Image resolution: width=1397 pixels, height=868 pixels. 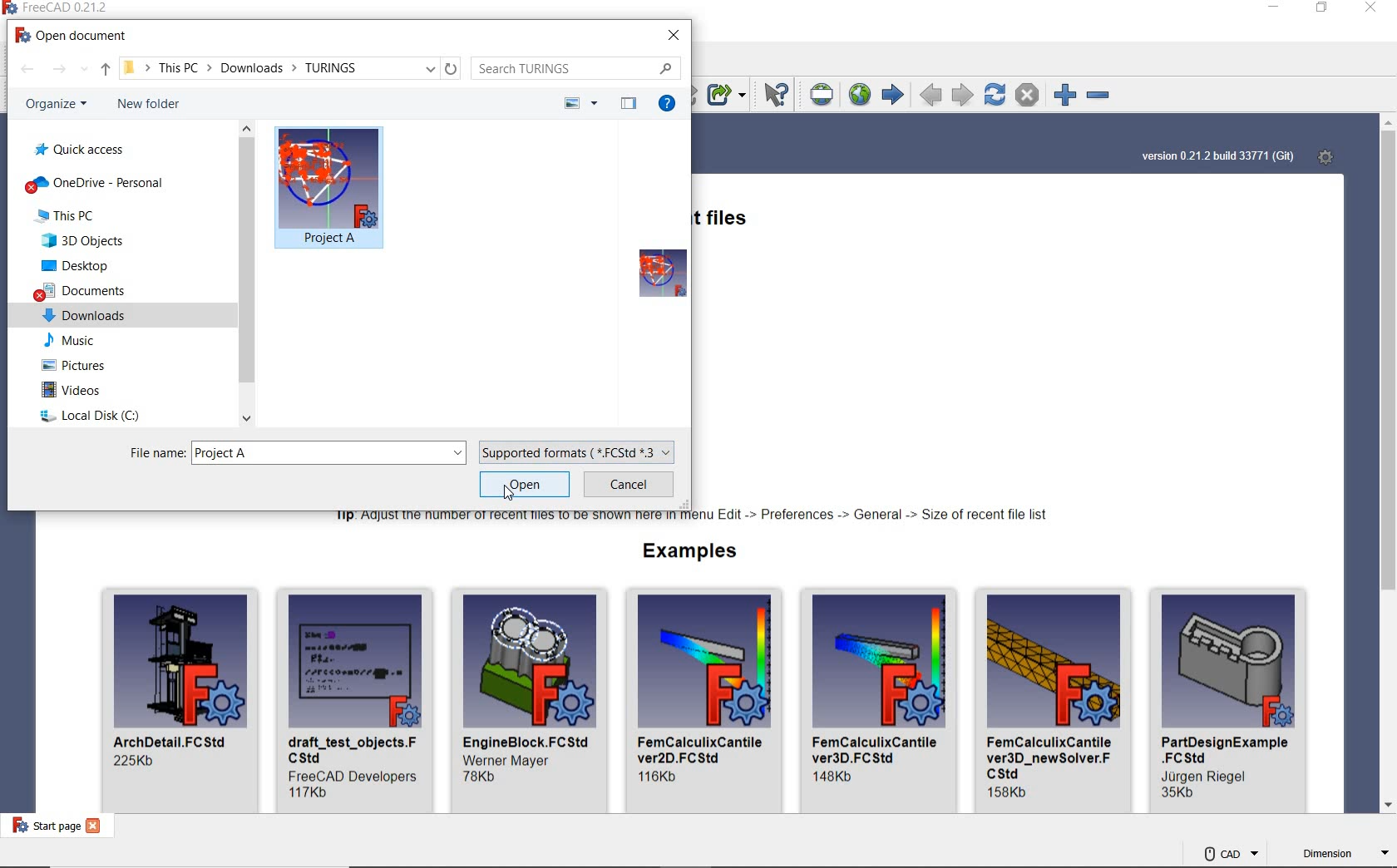 I want to click on BACK, so click(x=27, y=70).